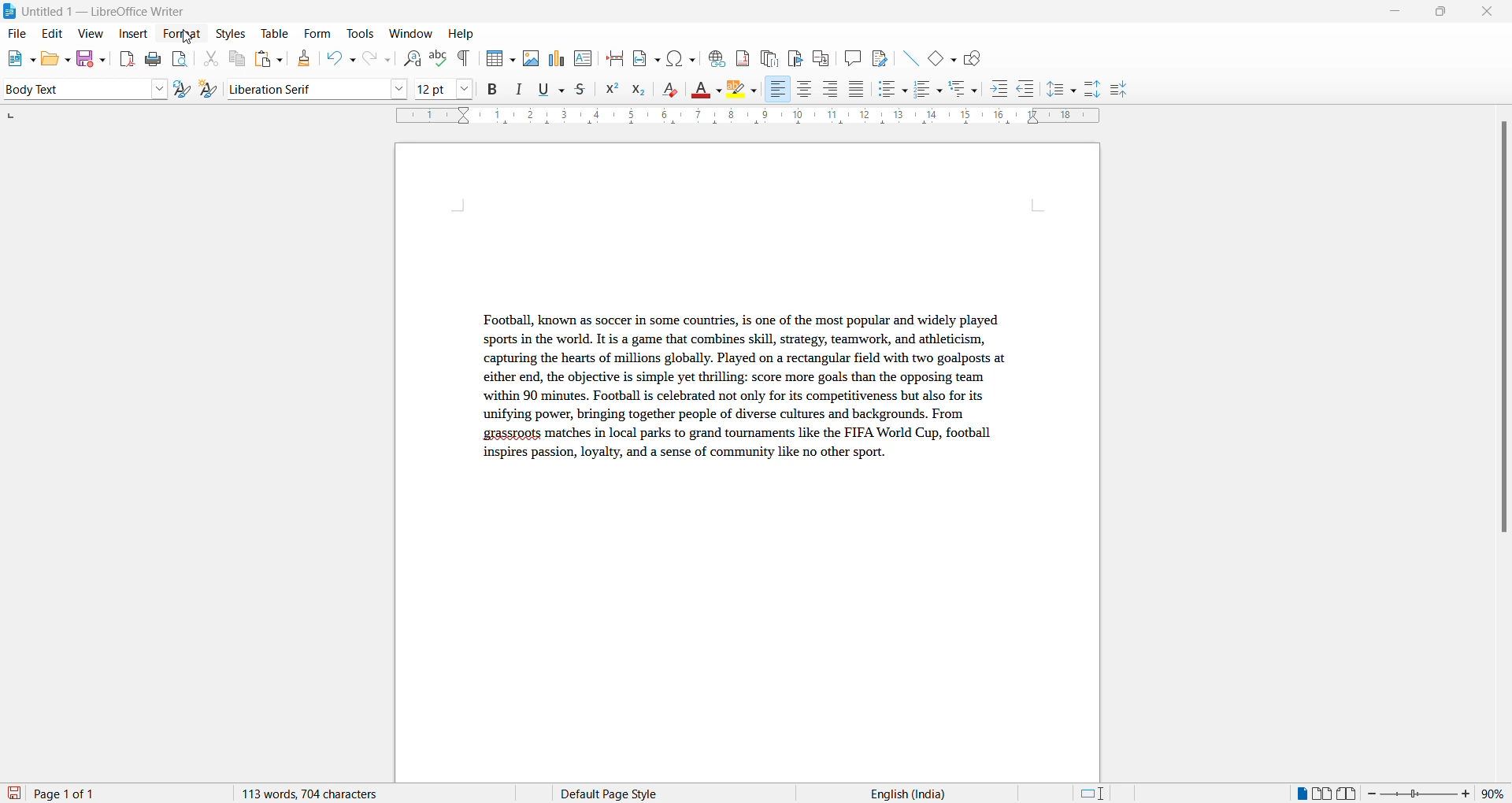  I want to click on line, so click(906, 56).